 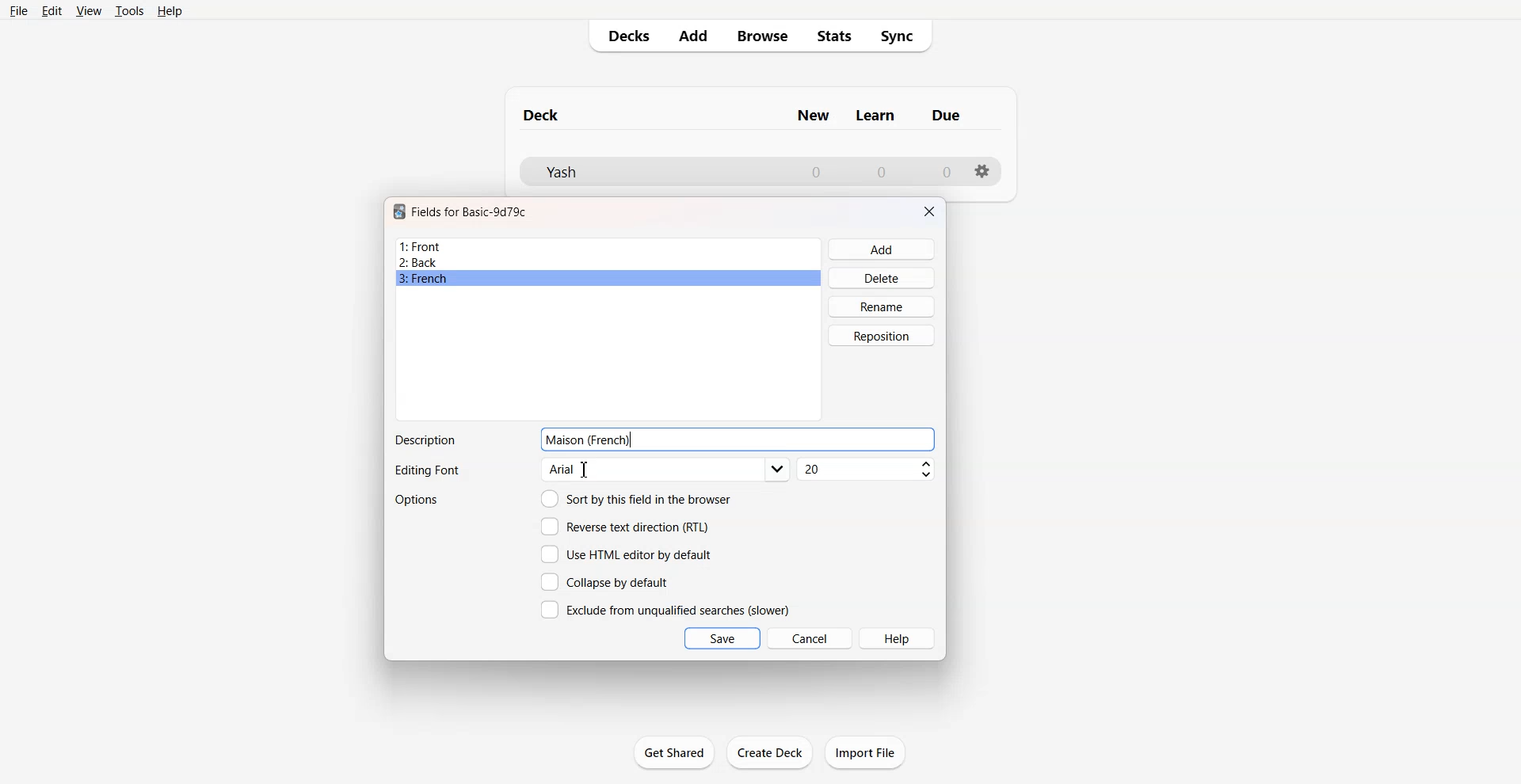 What do you see at coordinates (692, 36) in the screenshot?
I see `Add` at bounding box center [692, 36].